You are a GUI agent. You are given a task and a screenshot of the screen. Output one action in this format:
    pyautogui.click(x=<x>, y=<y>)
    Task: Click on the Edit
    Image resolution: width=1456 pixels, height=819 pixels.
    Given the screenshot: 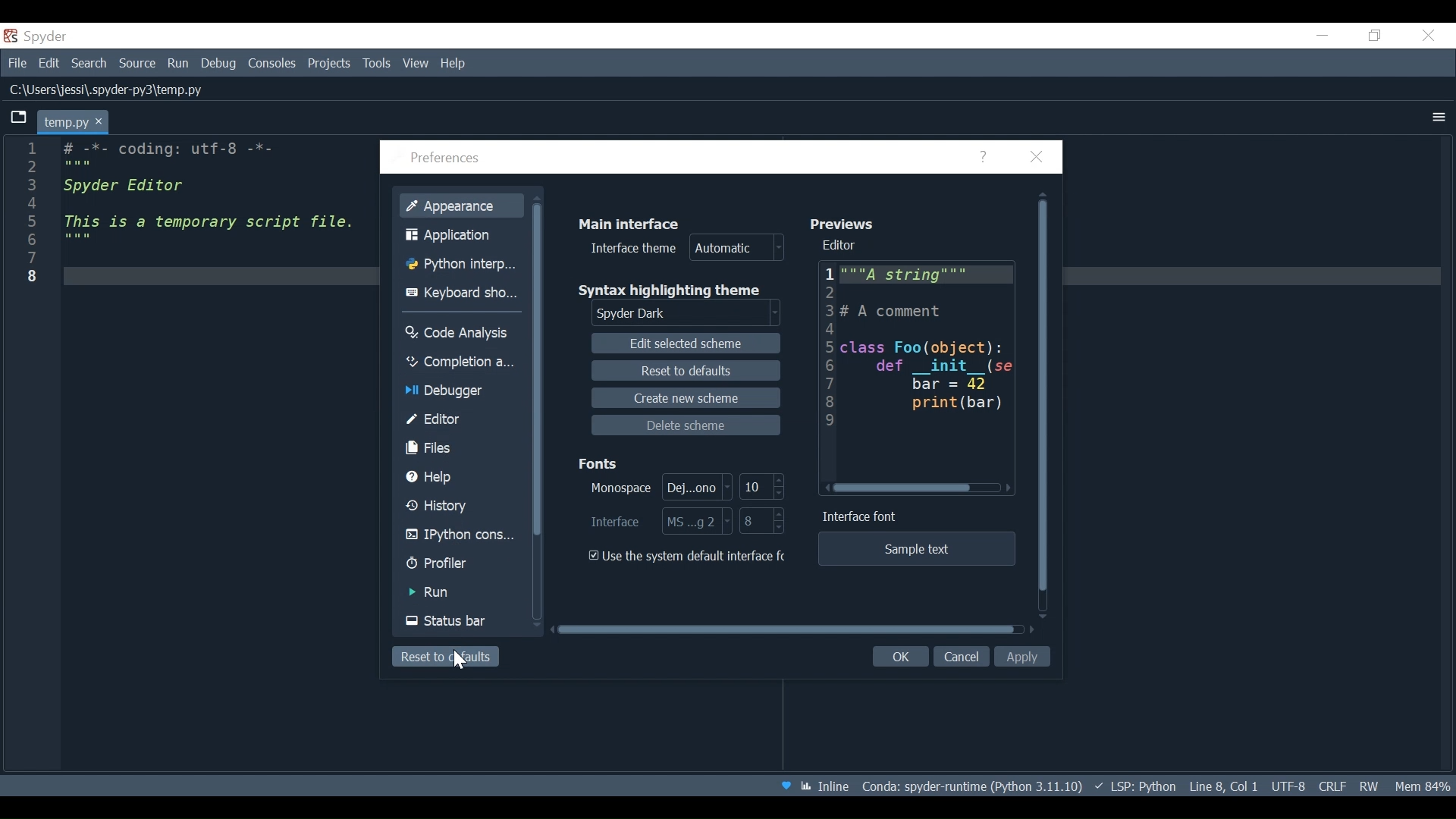 What is the action you would take?
    pyautogui.click(x=51, y=64)
    